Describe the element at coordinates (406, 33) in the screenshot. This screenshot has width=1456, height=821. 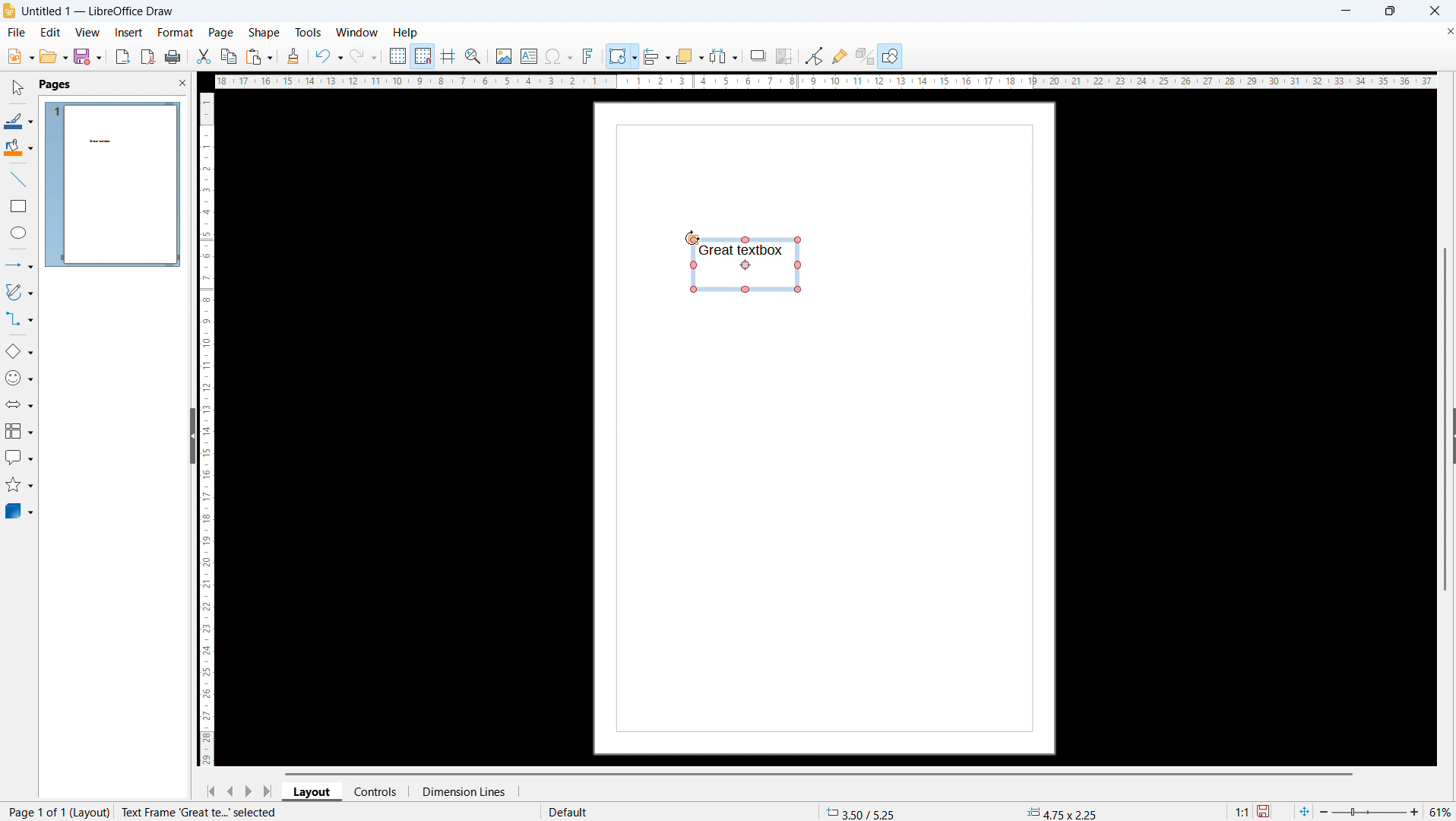
I see `help` at that location.